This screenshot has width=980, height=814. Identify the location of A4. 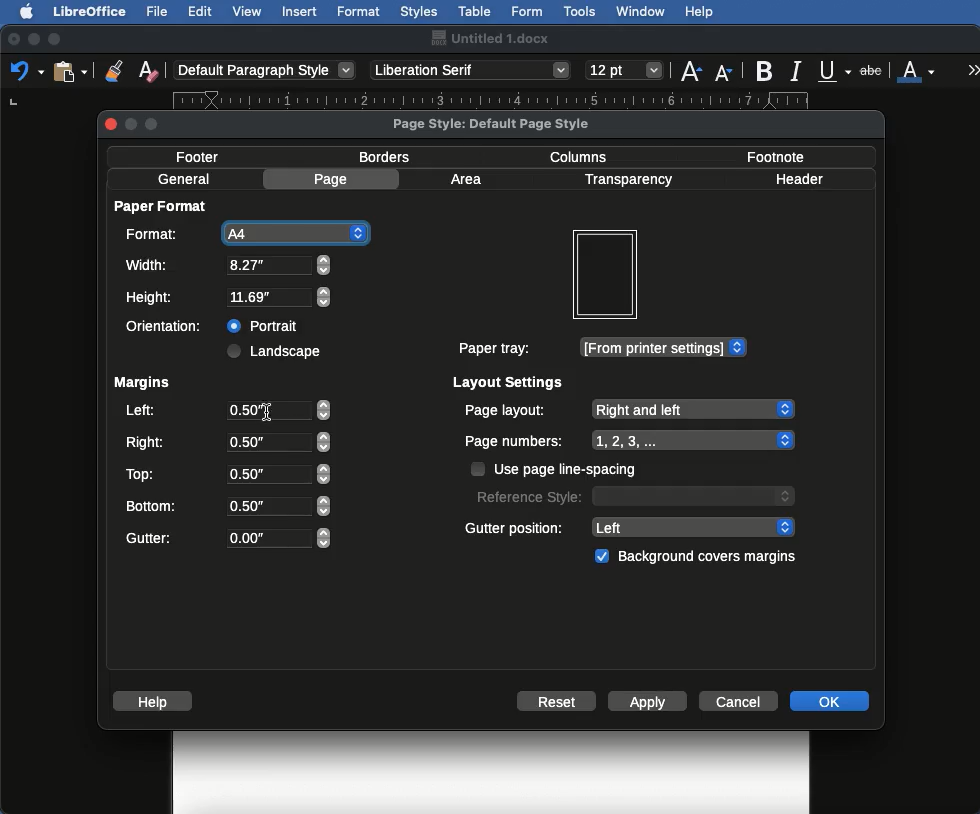
(243, 233).